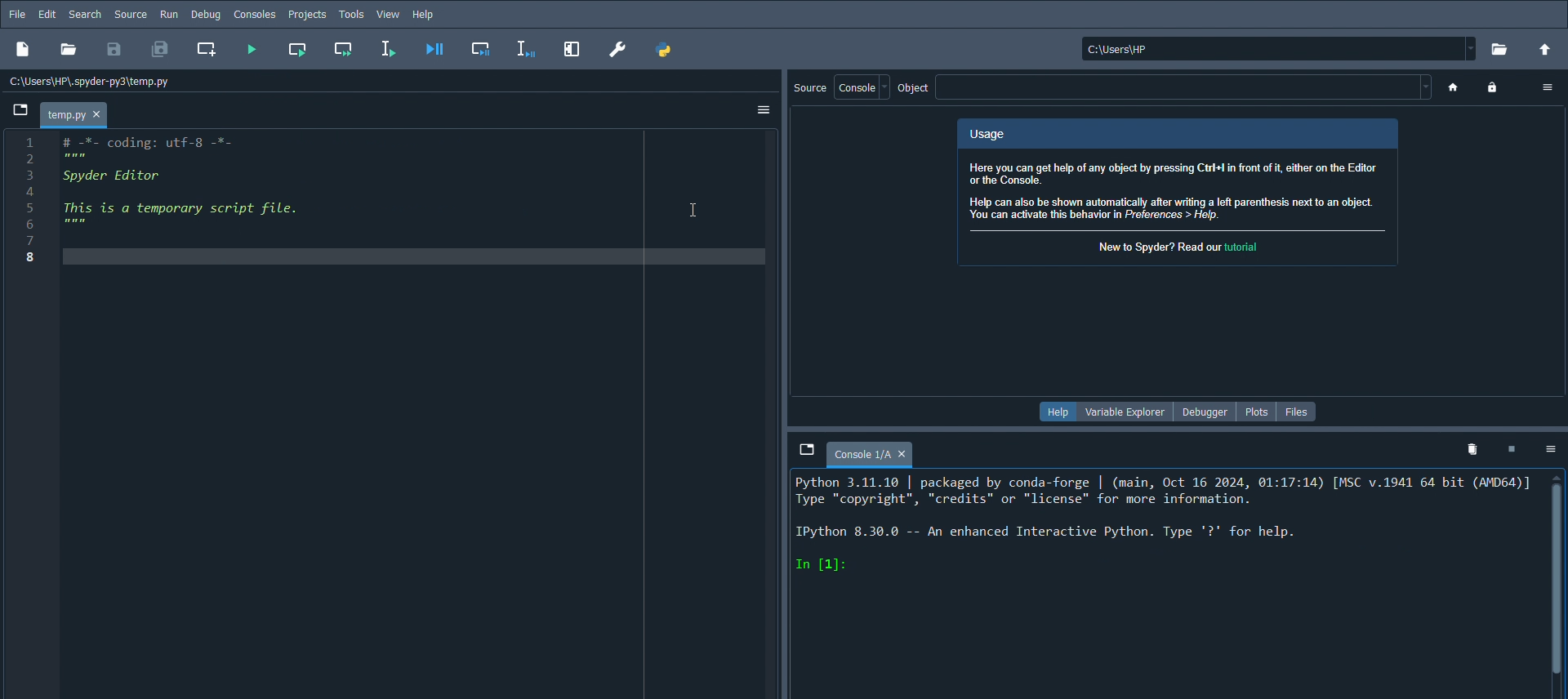  What do you see at coordinates (1174, 134) in the screenshot?
I see `Usage ` at bounding box center [1174, 134].